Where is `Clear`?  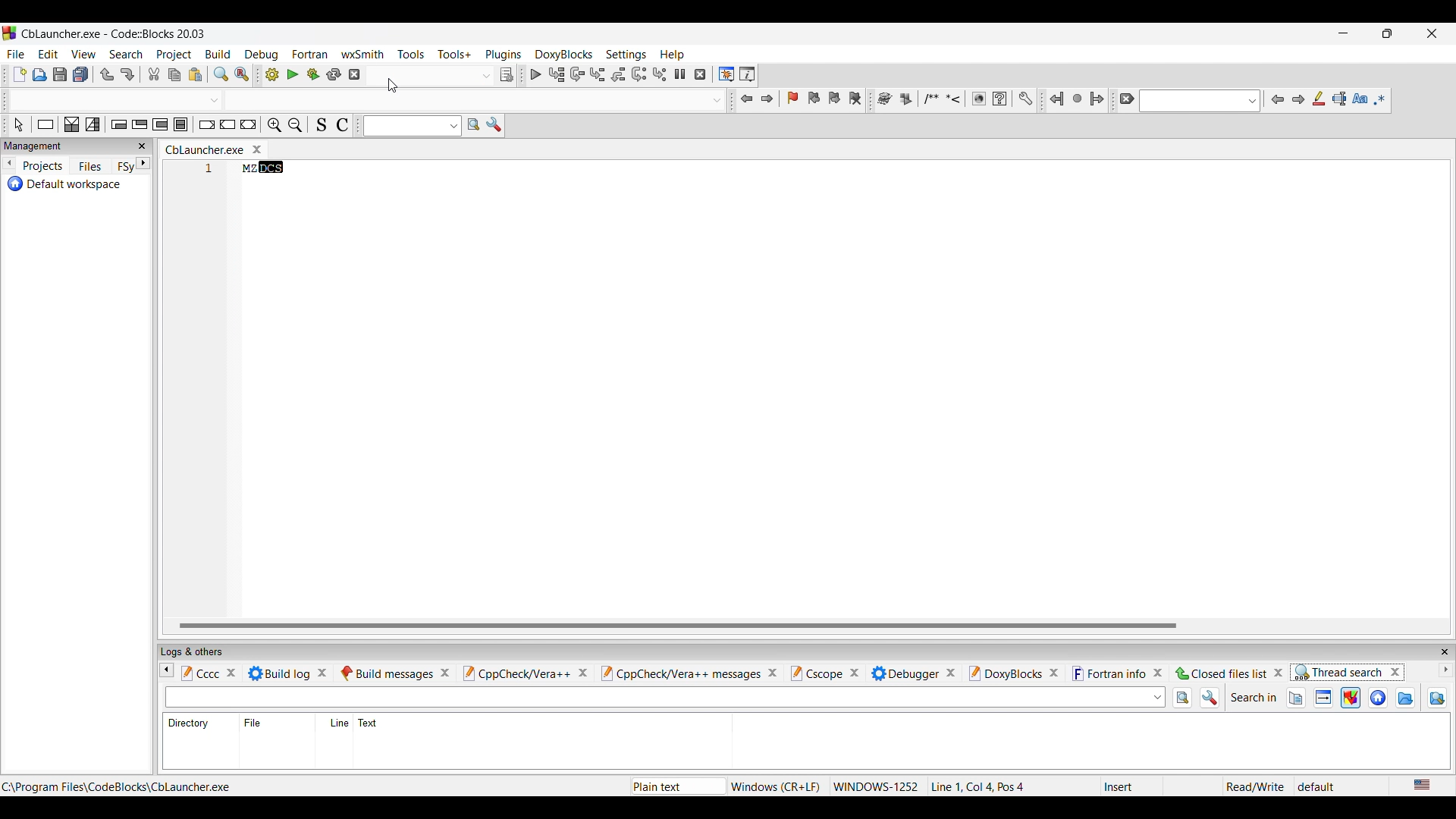 Clear is located at coordinates (1127, 99).